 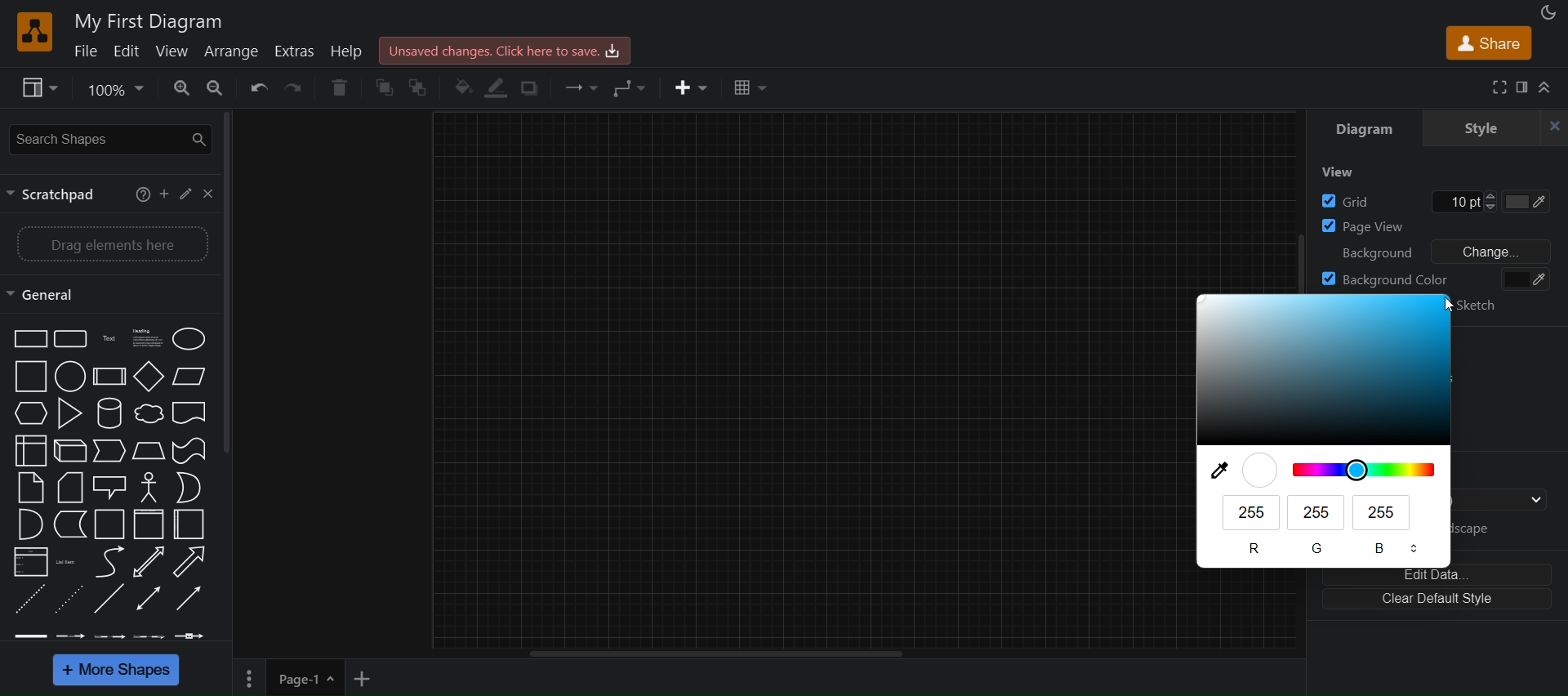 I want to click on table, so click(x=752, y=89).